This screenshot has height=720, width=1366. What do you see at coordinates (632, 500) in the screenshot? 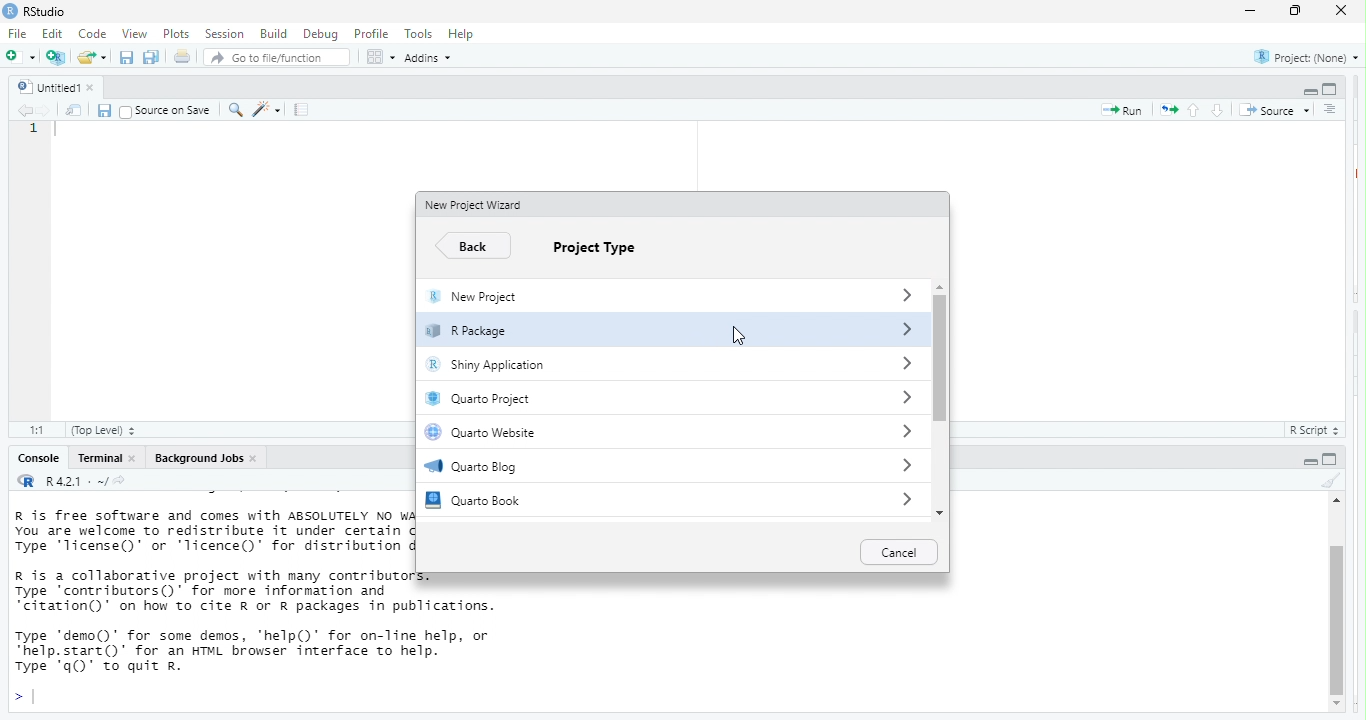
I see ` Quarto Book. ` at bounding box center [632, 500].